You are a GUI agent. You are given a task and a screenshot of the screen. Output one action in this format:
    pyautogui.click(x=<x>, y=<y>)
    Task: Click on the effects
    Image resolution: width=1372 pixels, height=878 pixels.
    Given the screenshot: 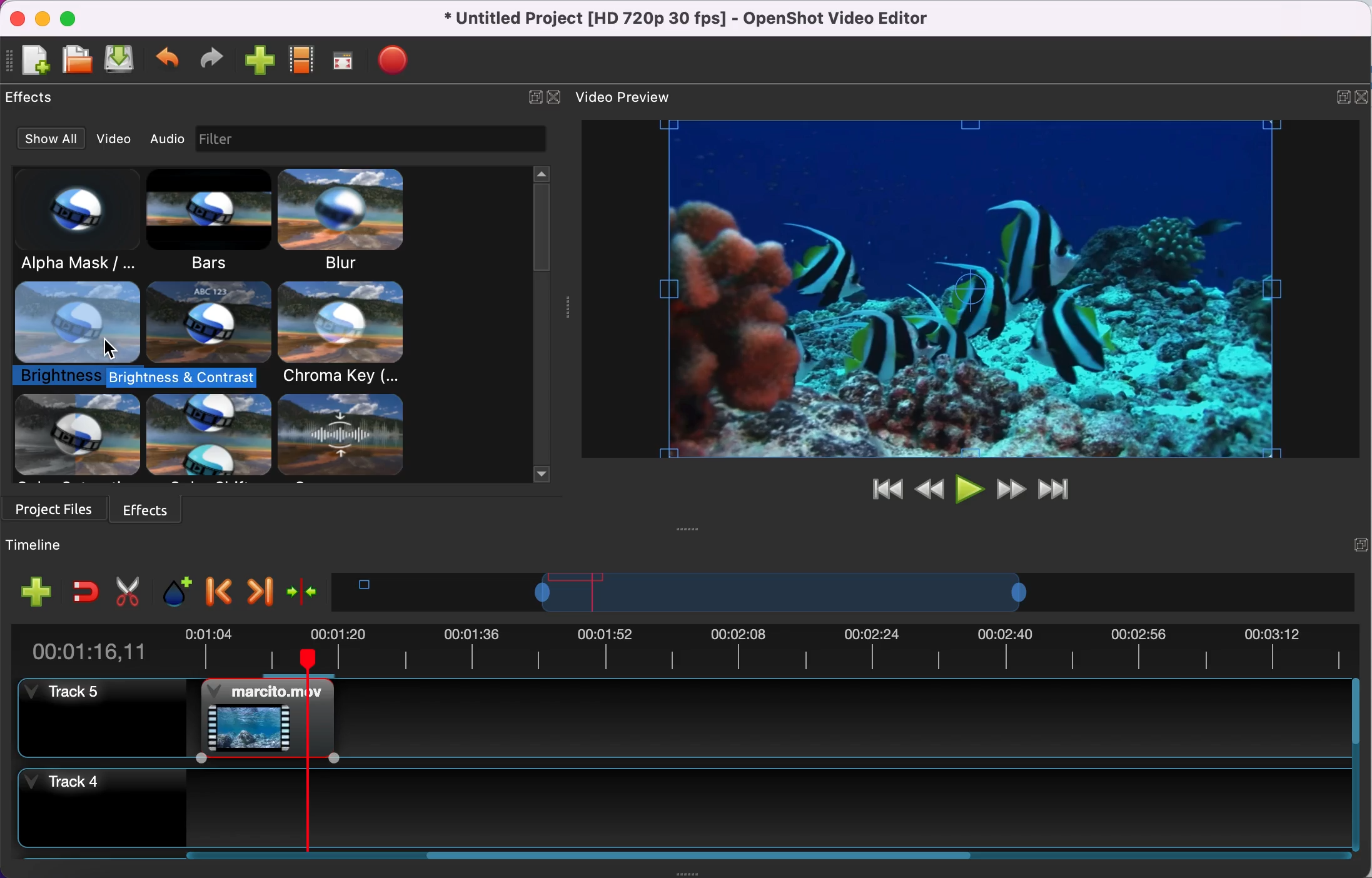 What is the action you would take?
    pyautogui.click(x=149, y=507)
    